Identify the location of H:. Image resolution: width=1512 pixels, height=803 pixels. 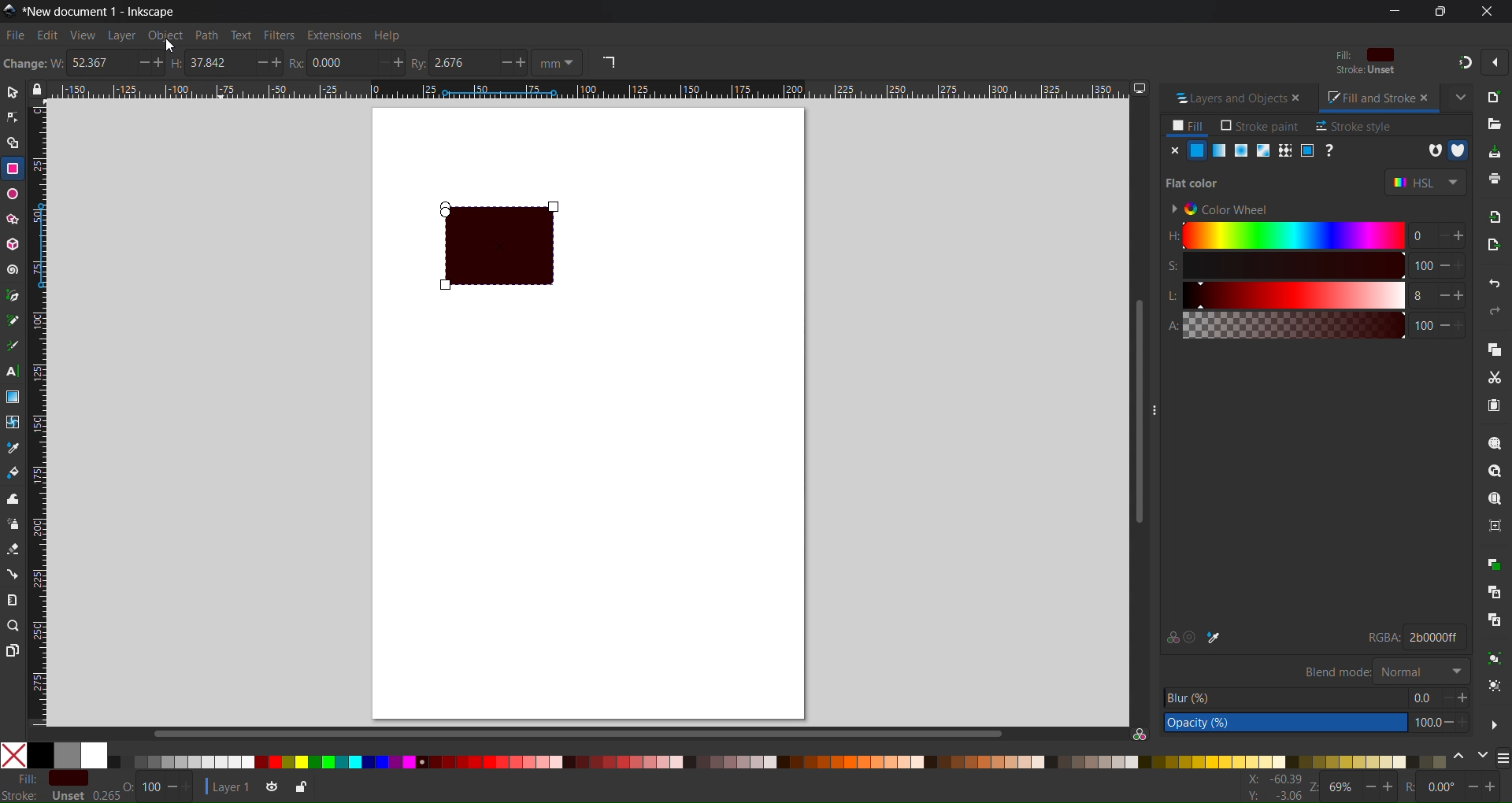
(181, 64).